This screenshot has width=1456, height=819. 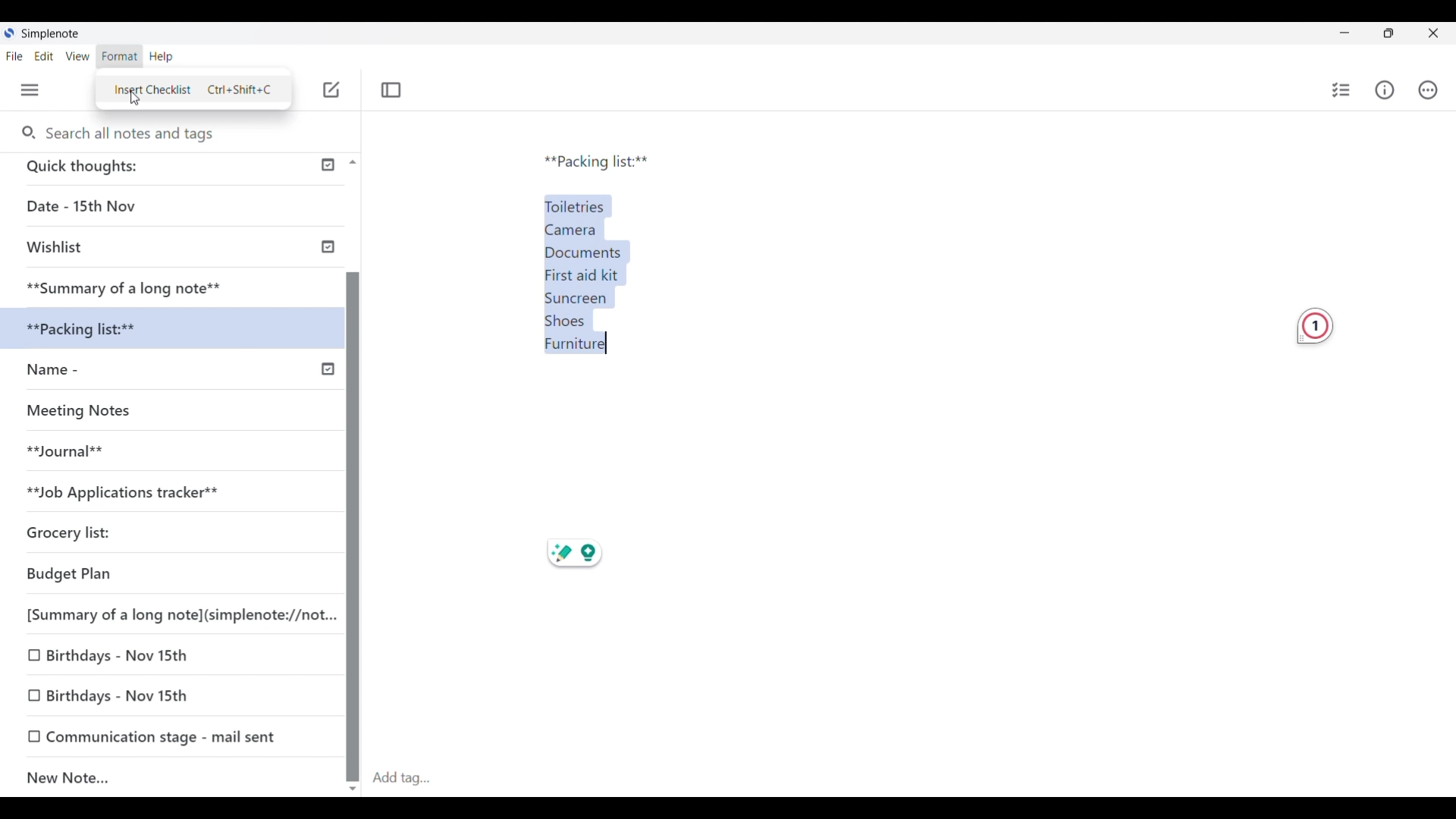 What do you see at coordinates (353, 162) in the screenshot?
I see `Quick slide to top` at bounding box center [353, 162].